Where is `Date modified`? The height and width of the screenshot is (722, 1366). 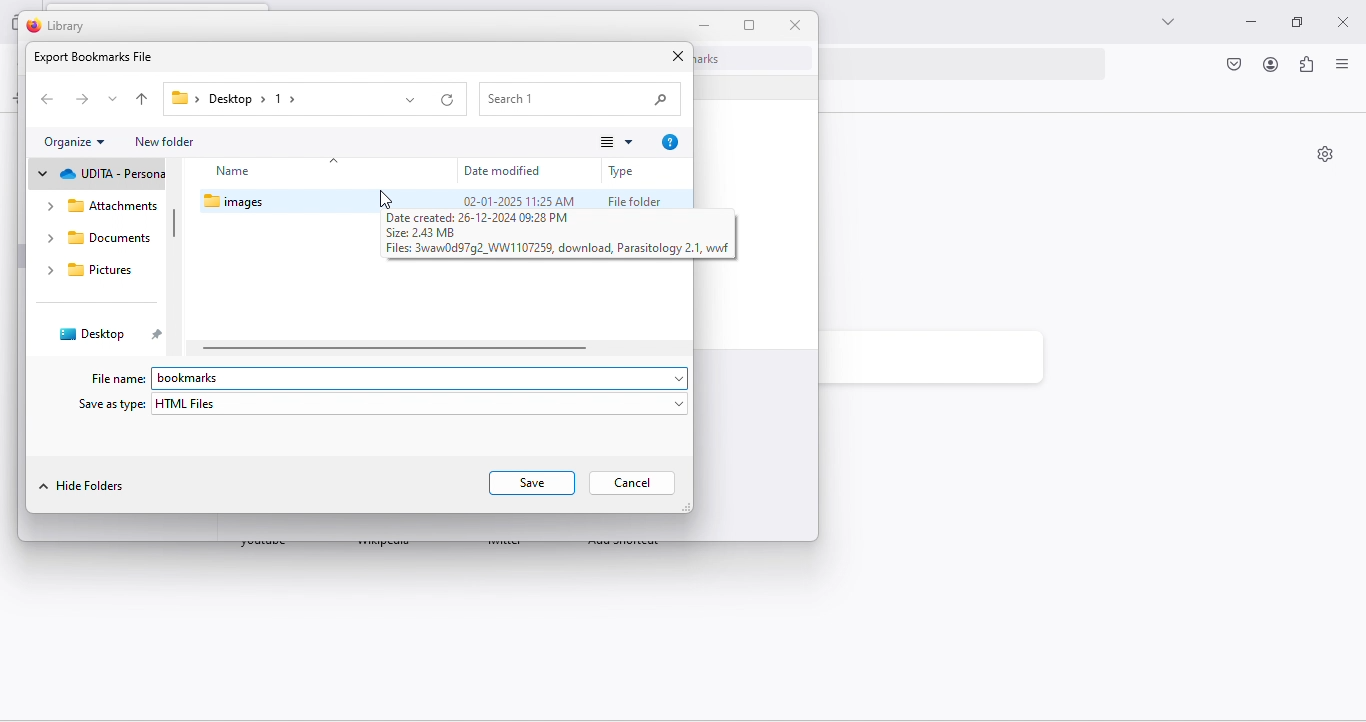 Date modified is located at coordinates (505, 169).